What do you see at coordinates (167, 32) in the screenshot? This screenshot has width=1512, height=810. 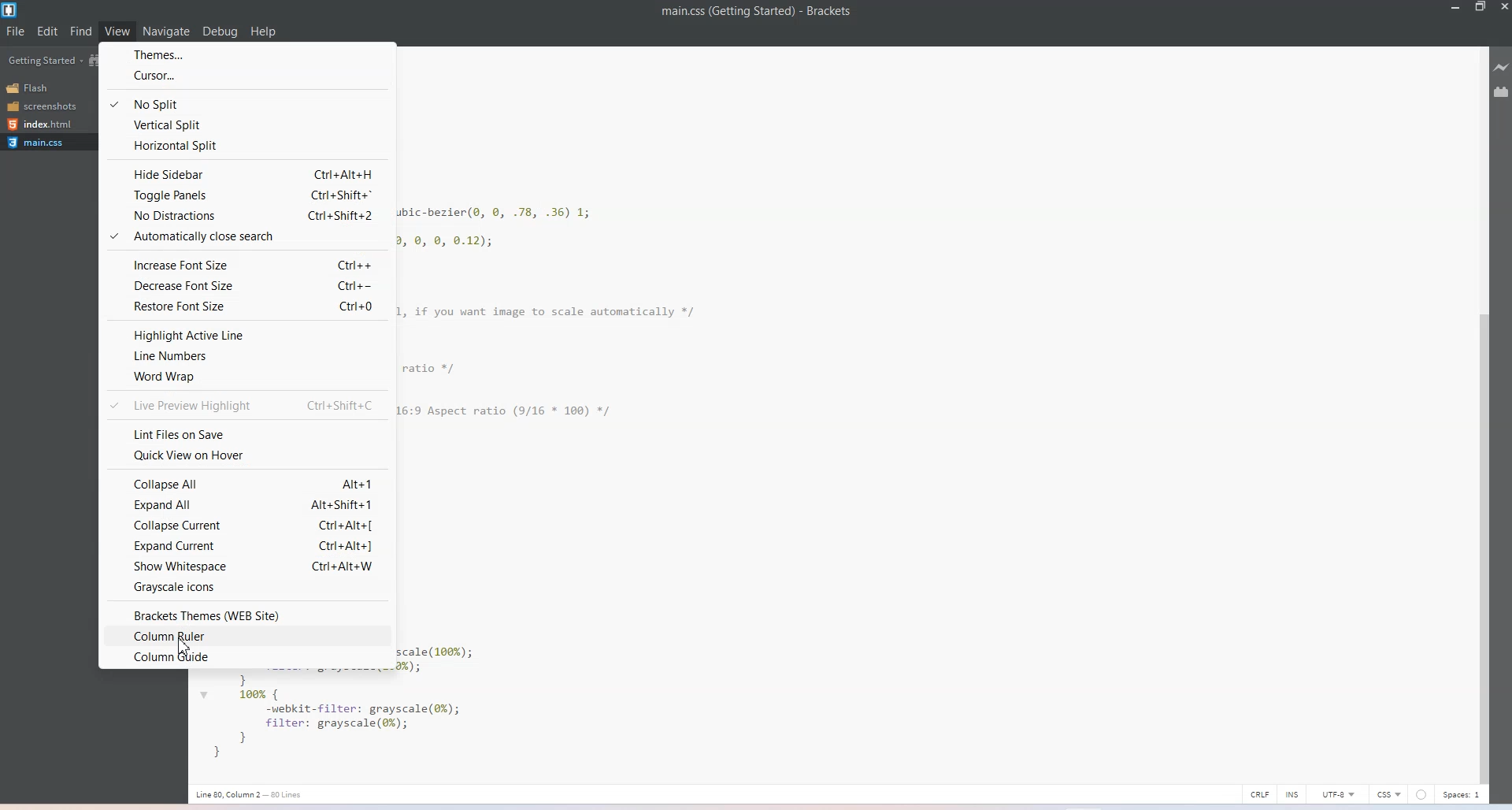 I see `Navigate` at bounding box center [167, 32].